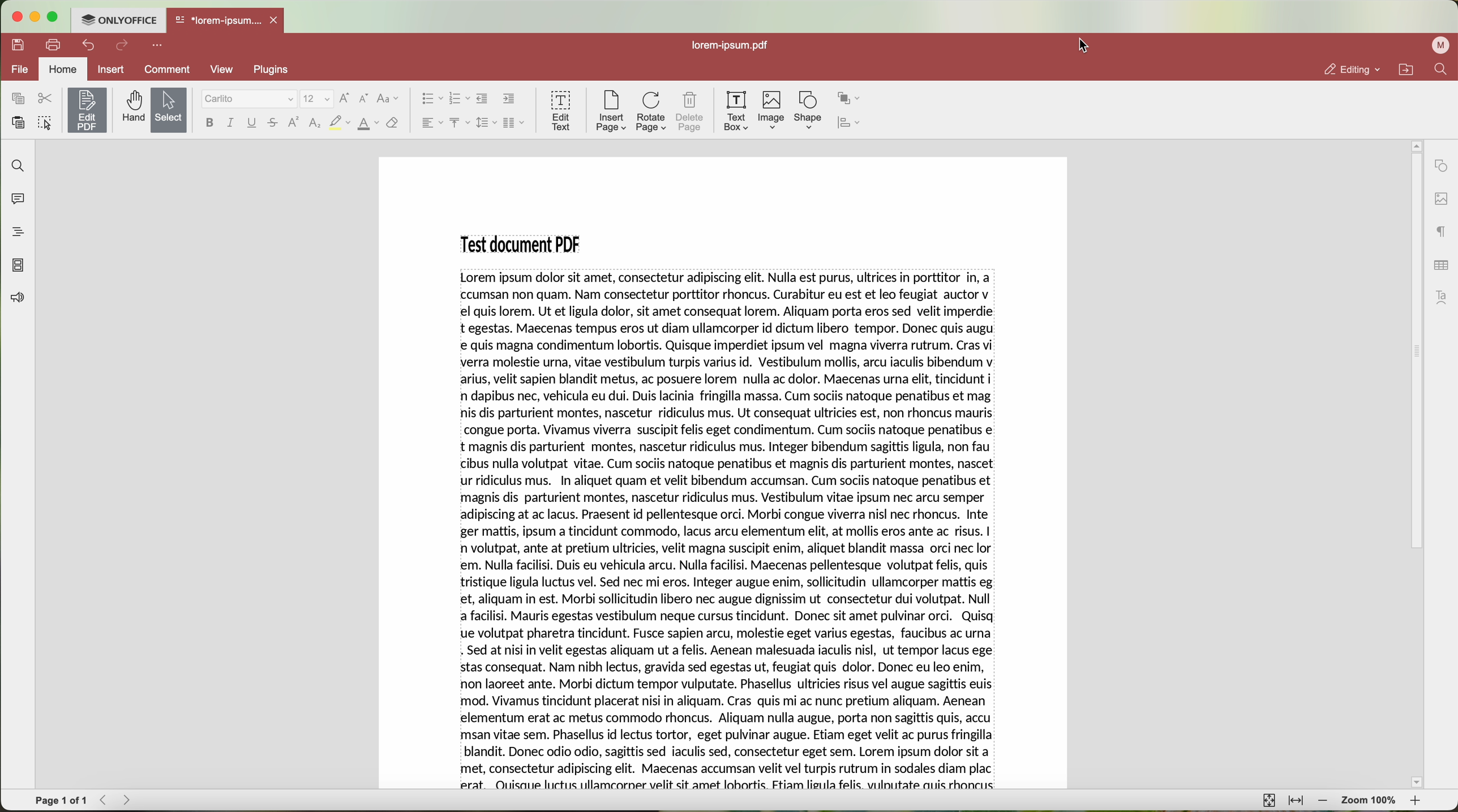 This screenshot has width=1458, height=812. Describe the element at coordinates (105, 800) in the screenshot. I see `Backward` at that location.